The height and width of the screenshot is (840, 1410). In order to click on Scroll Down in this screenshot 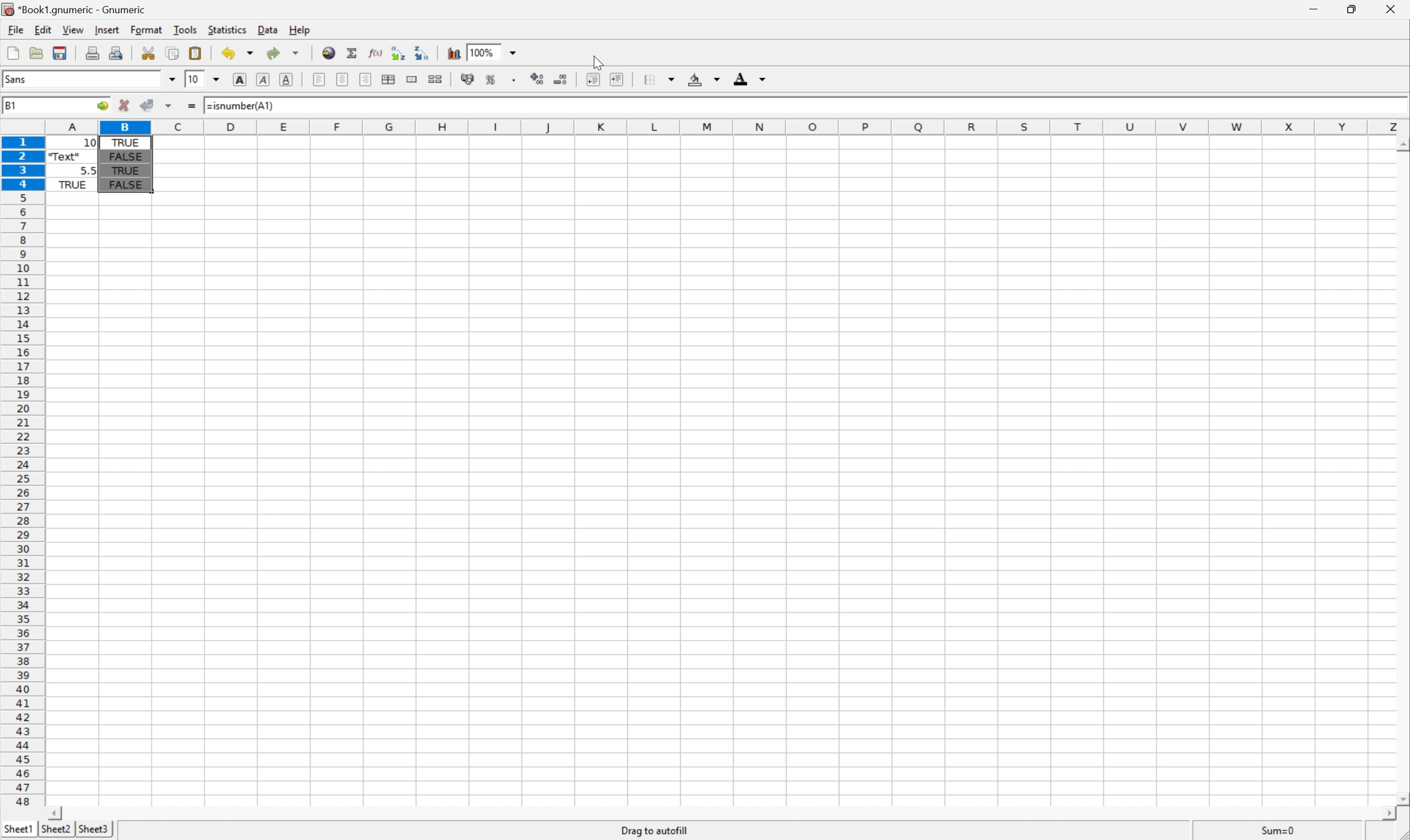, I will do `click(1401, 796)`.